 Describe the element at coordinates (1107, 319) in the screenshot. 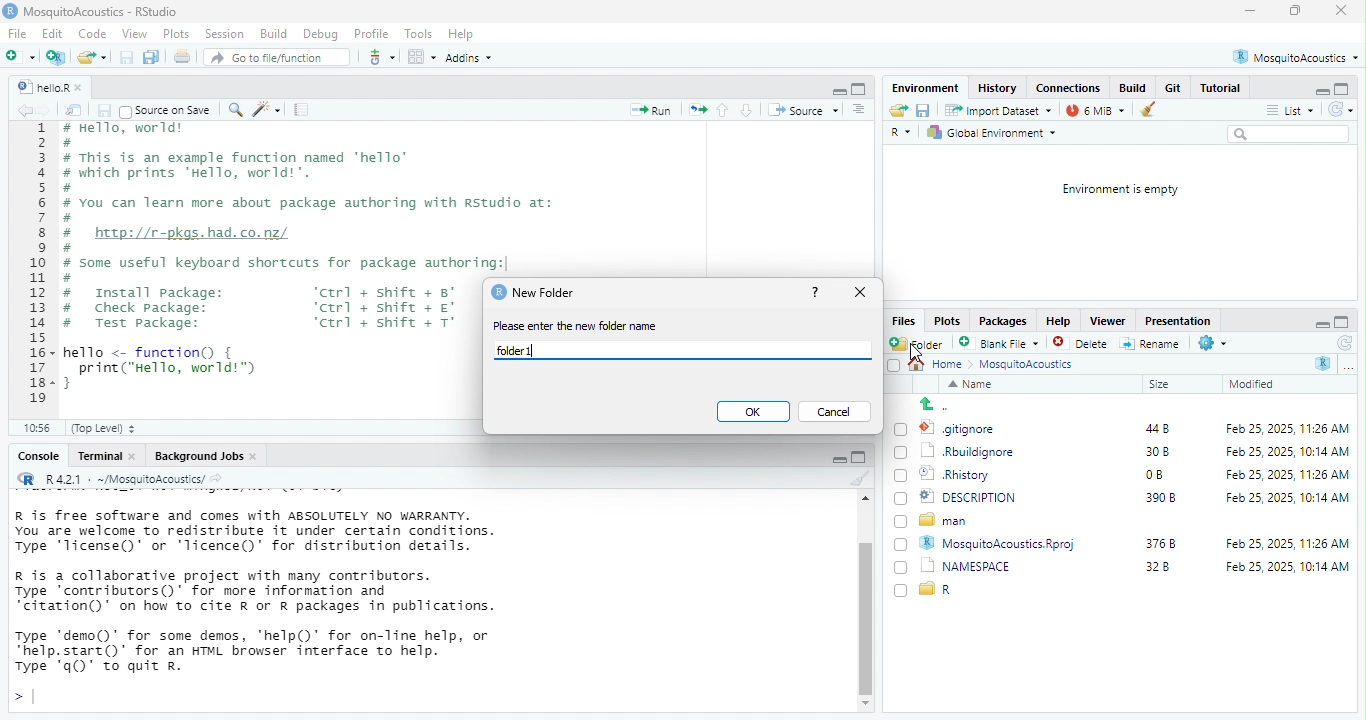

I see `Viewer` at that location.